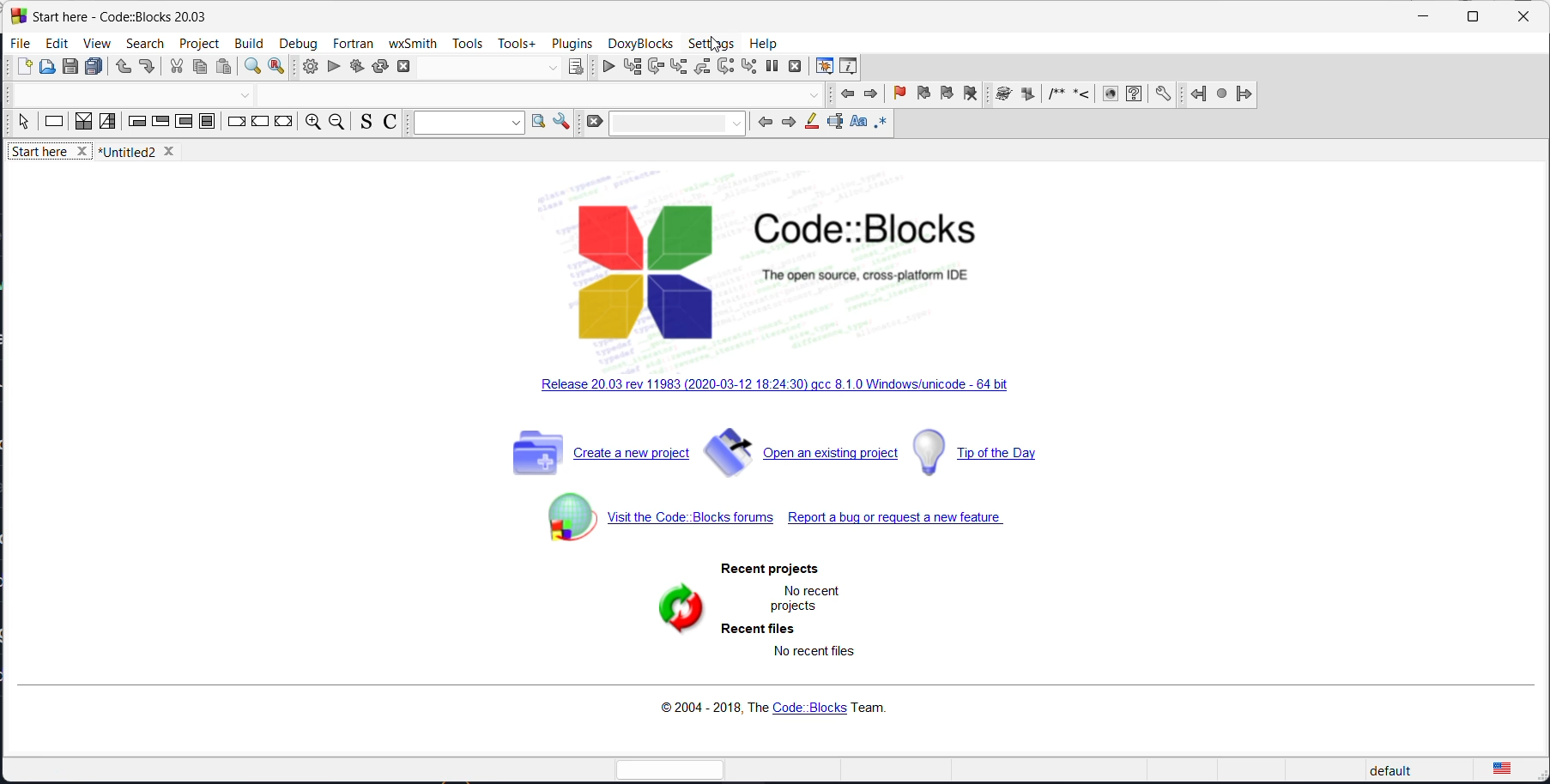 This screenshot has width=1550, height=784. What do you see at coordinates (921, 96) in the screenshot?
I see `previous bookmark` at bounding box center [921, 96].